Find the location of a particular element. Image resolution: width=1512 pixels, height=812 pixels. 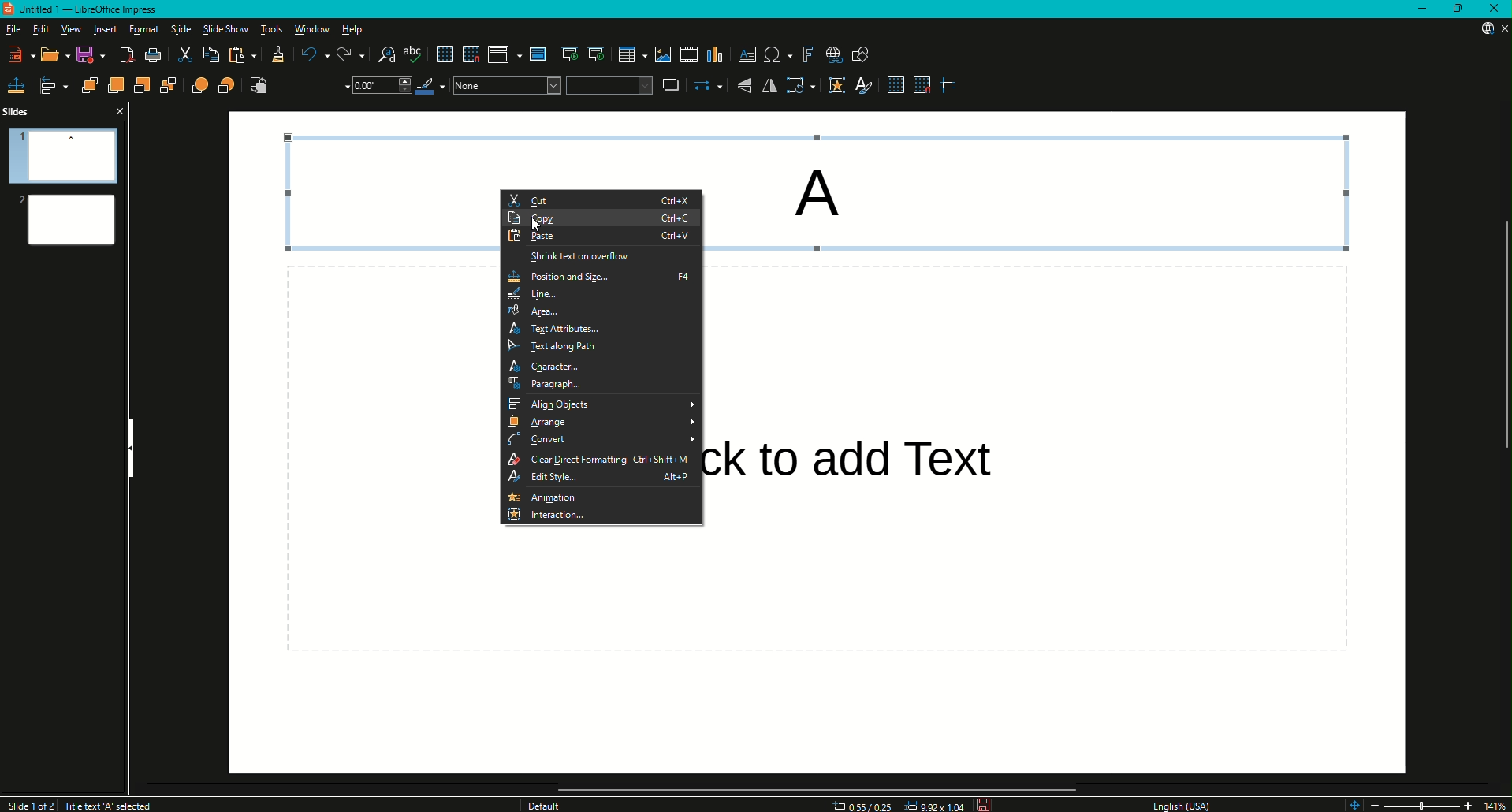

Snap to Grid is located at coordinates (468, 52).